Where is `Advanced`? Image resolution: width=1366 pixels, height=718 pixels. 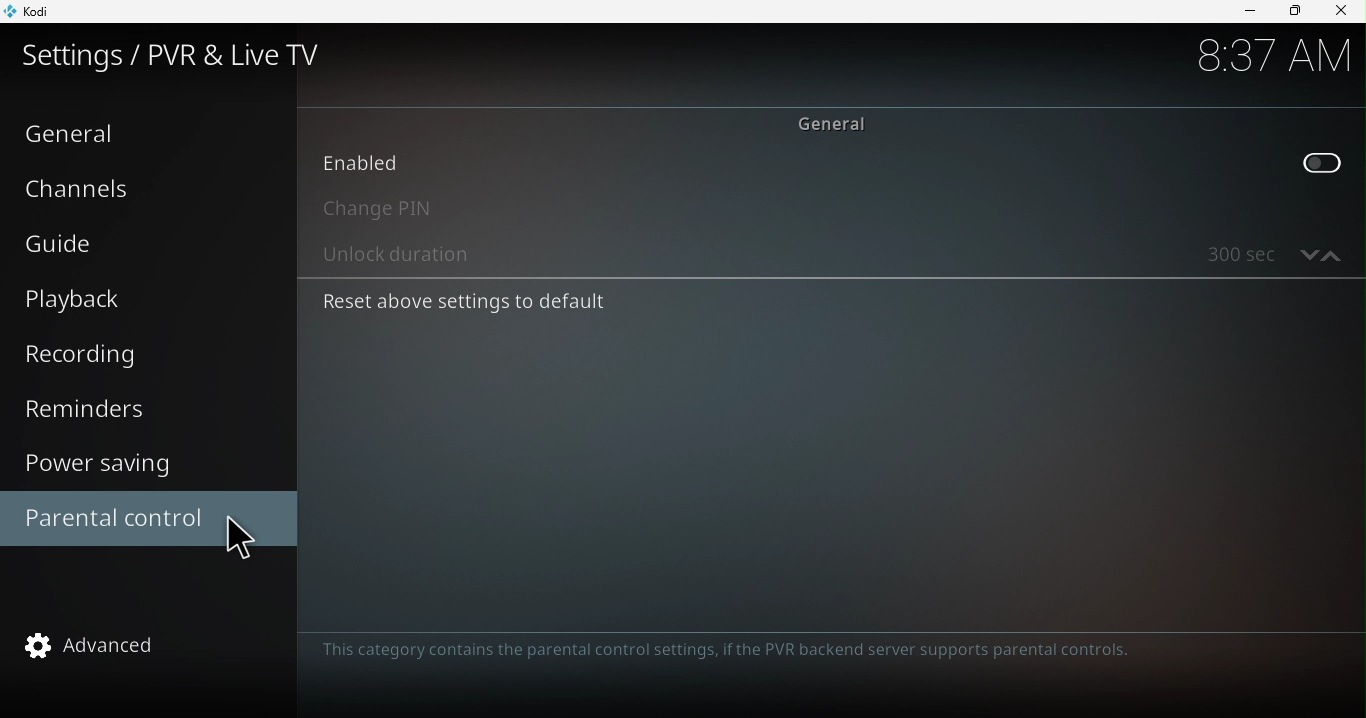
Advanced is located at coordinates (123, 650).